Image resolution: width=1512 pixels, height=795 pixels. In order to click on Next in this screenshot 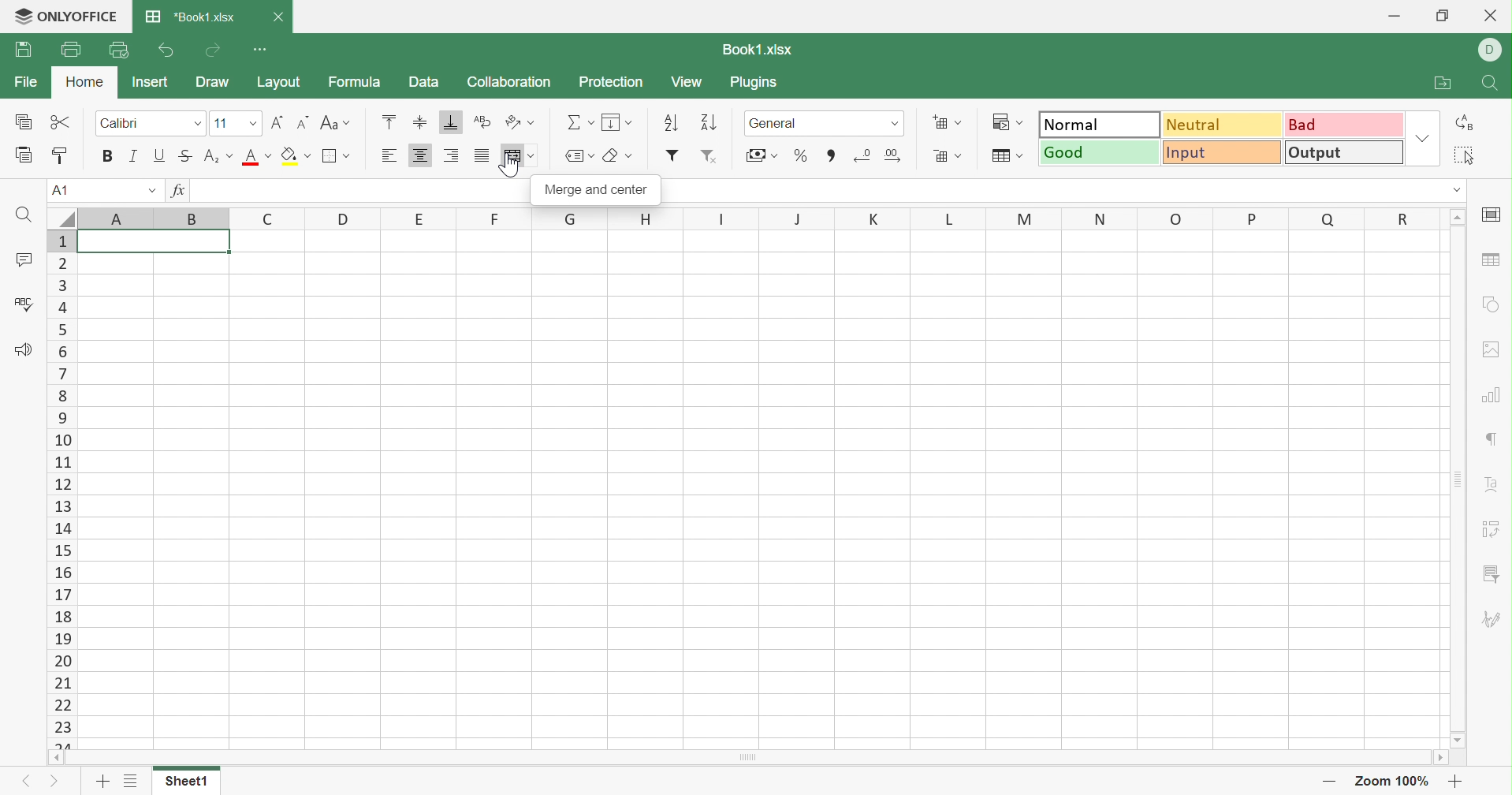, I will do `click(56, 781)`.